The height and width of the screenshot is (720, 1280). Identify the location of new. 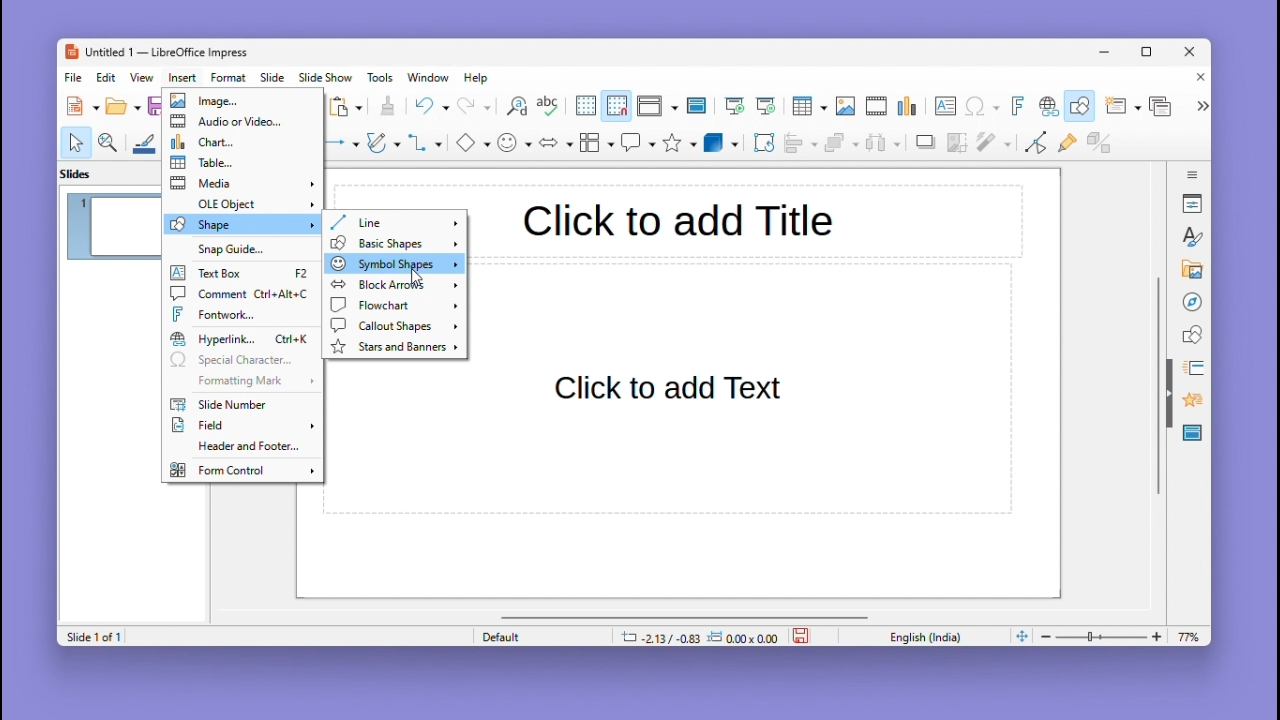
(84, 106).